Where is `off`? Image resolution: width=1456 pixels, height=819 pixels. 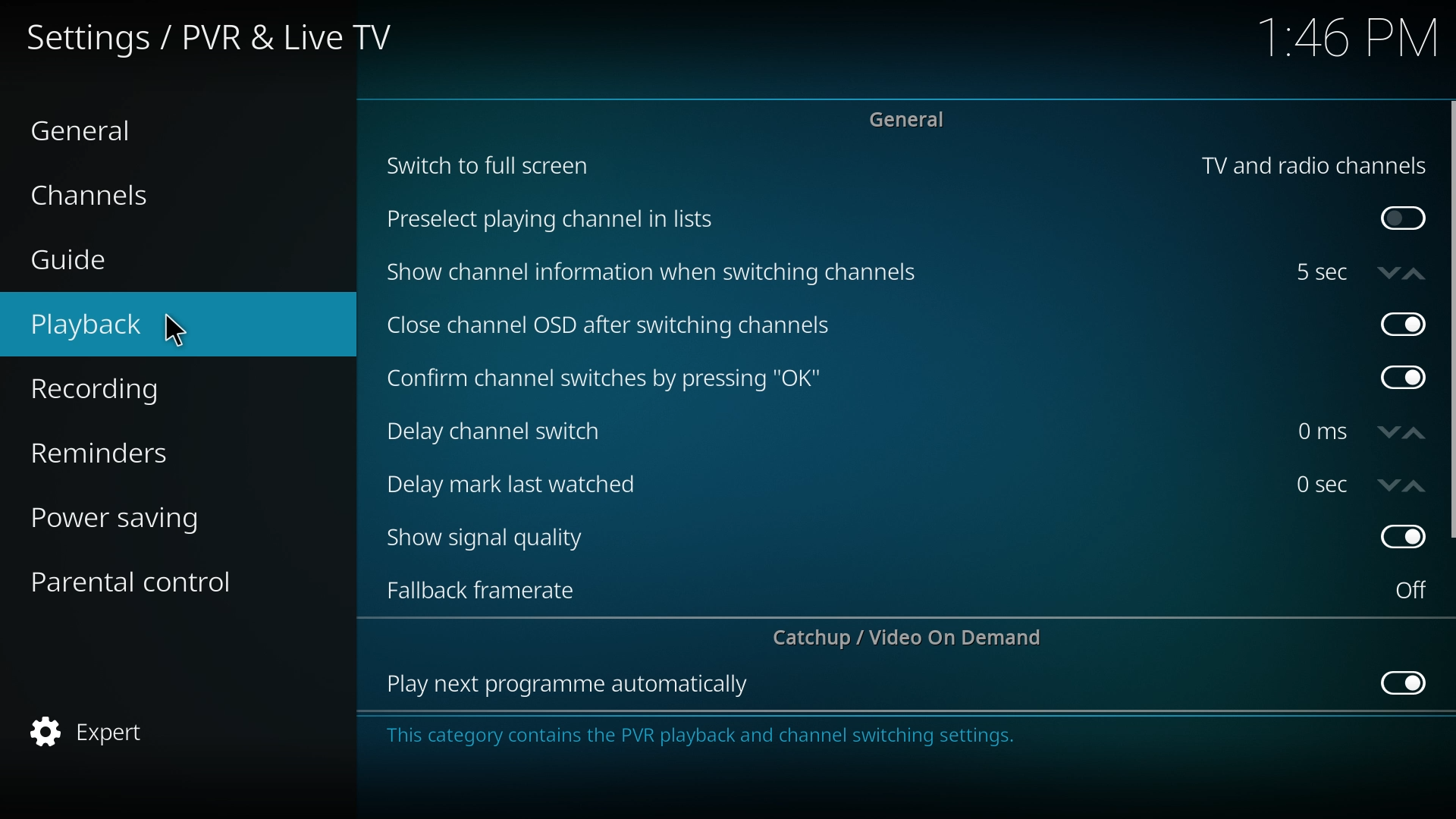 off is located at coordinates (1406, 681).